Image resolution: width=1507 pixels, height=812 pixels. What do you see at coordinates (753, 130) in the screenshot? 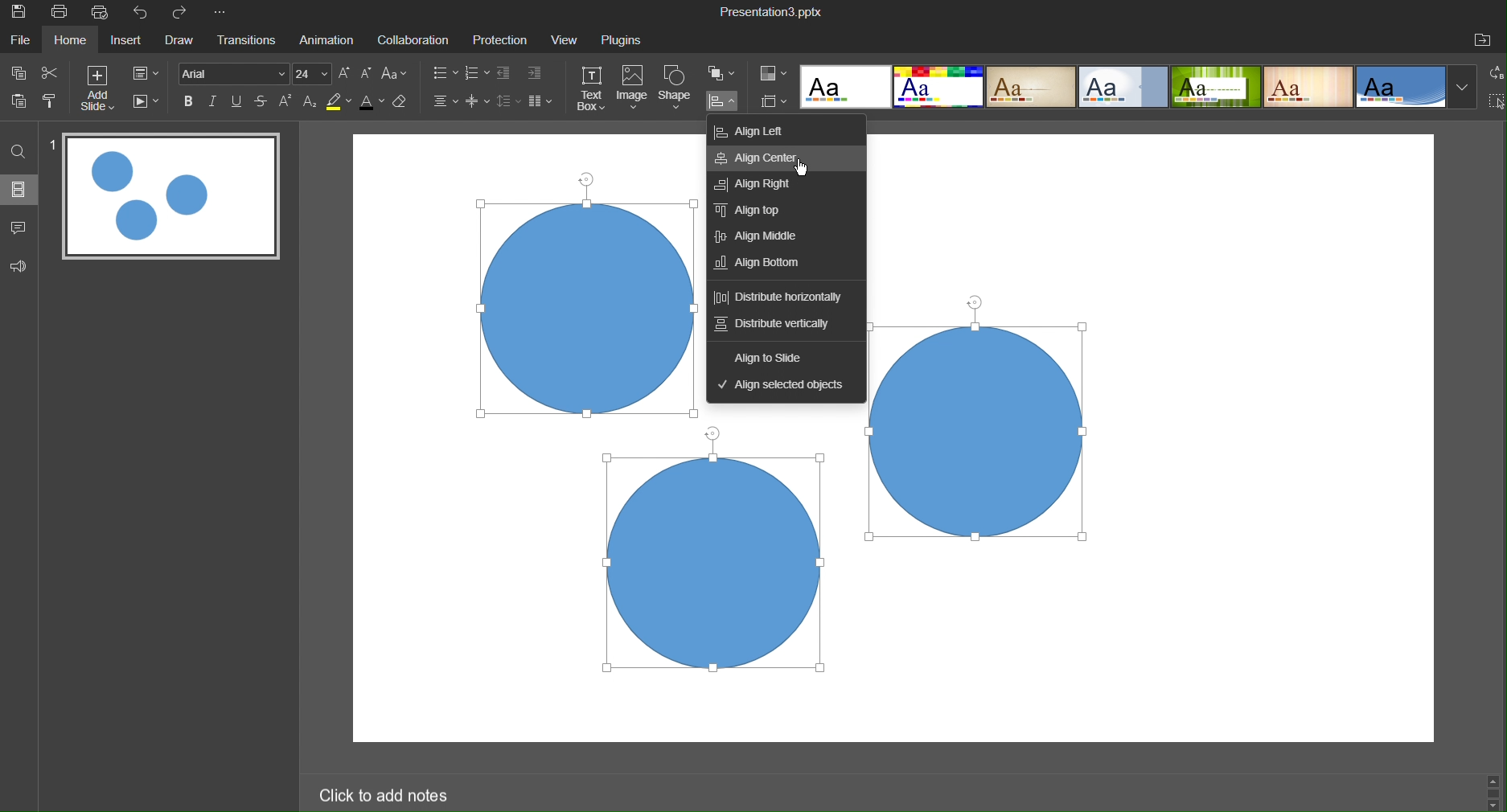
I see `Align Left` at bounding box center [753, 130].